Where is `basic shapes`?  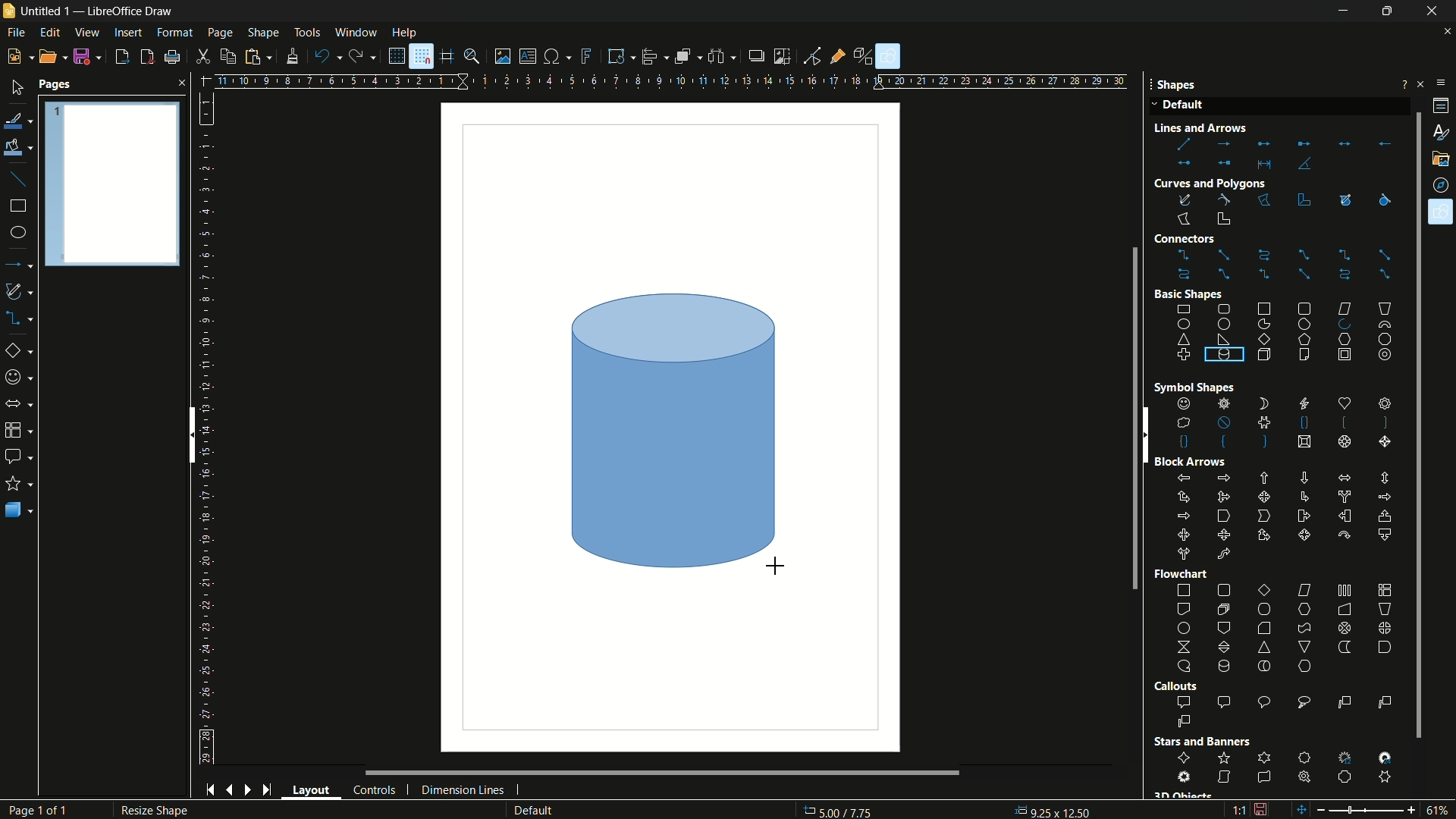
basic shapes is located at coordinates (1285, 331).